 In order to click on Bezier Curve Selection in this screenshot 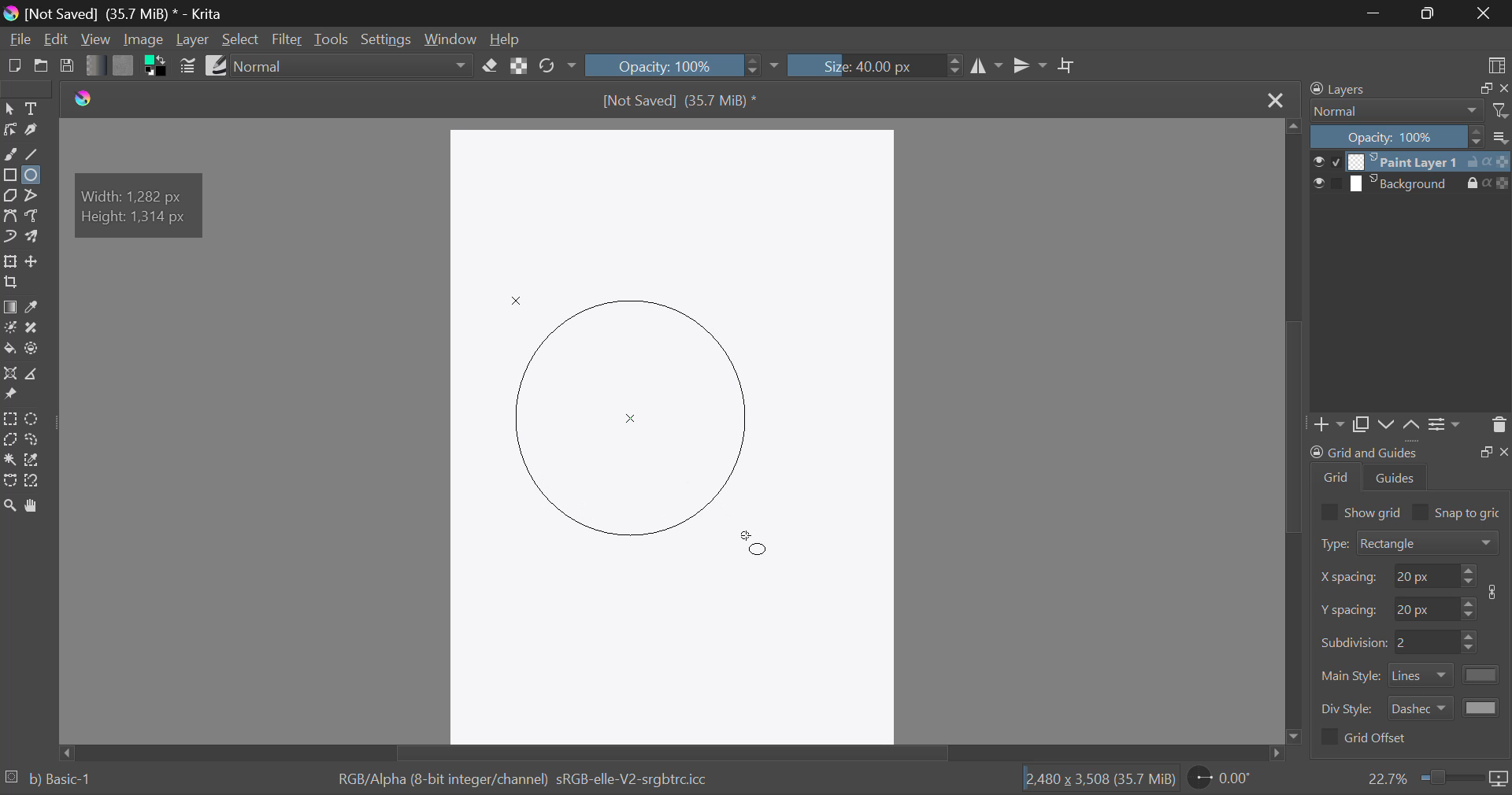, I will do `click(9, 482)`.